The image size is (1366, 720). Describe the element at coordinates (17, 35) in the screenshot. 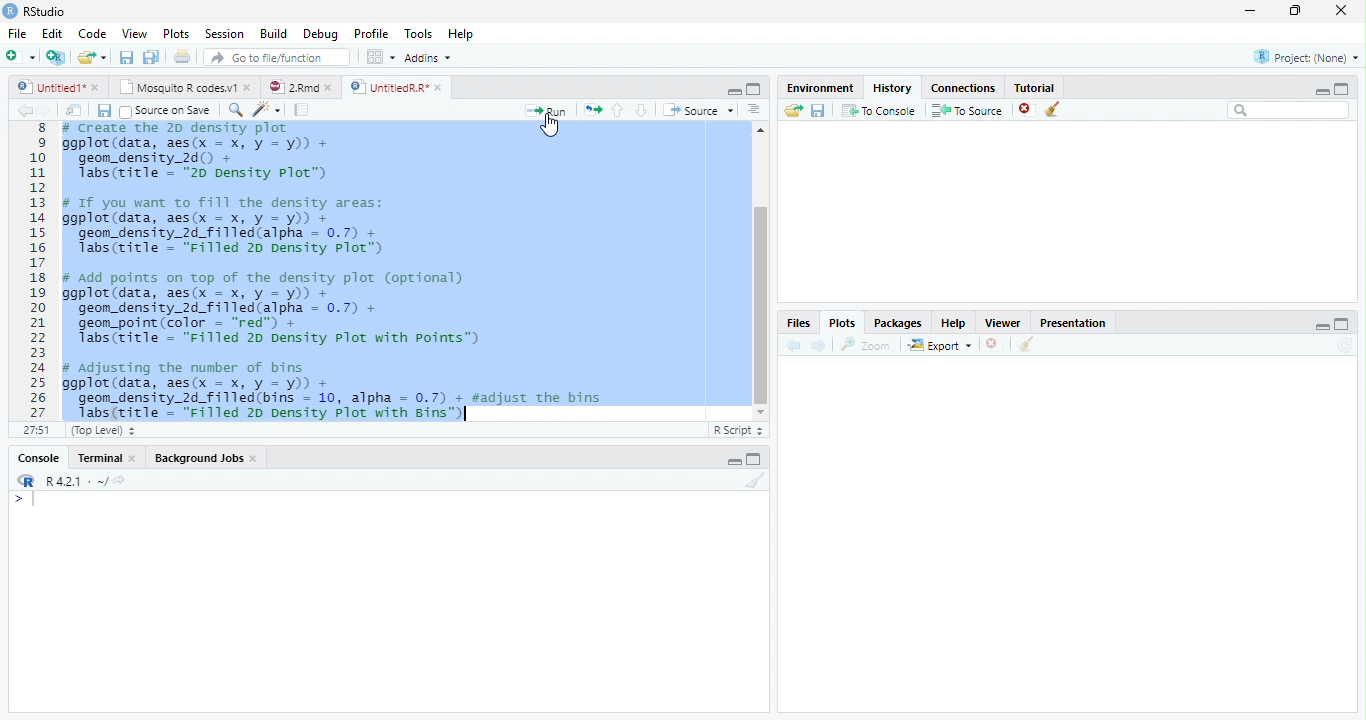

I see `File` at that location.